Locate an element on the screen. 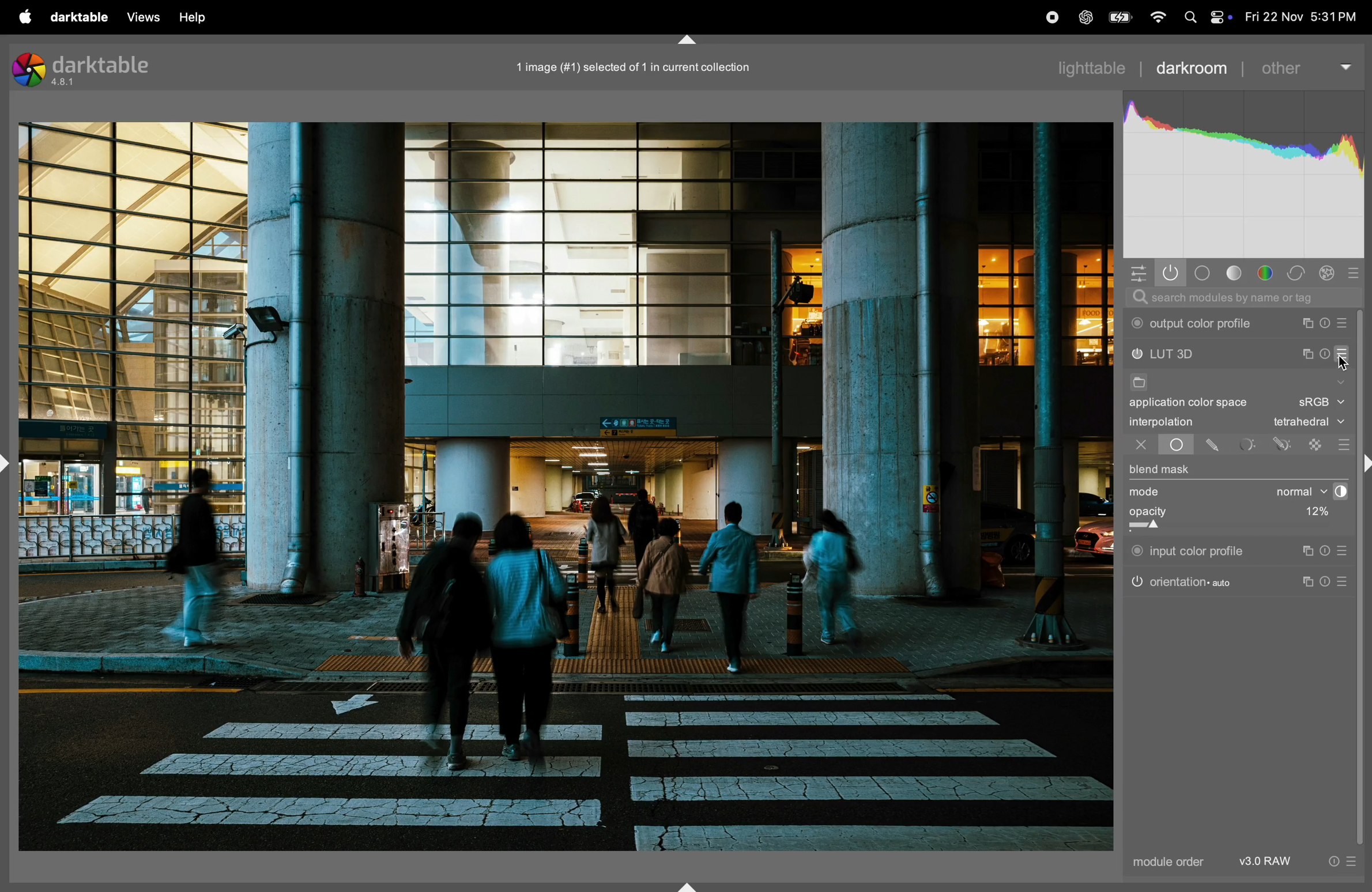  input color profile is located at coordinates (1189, 549).